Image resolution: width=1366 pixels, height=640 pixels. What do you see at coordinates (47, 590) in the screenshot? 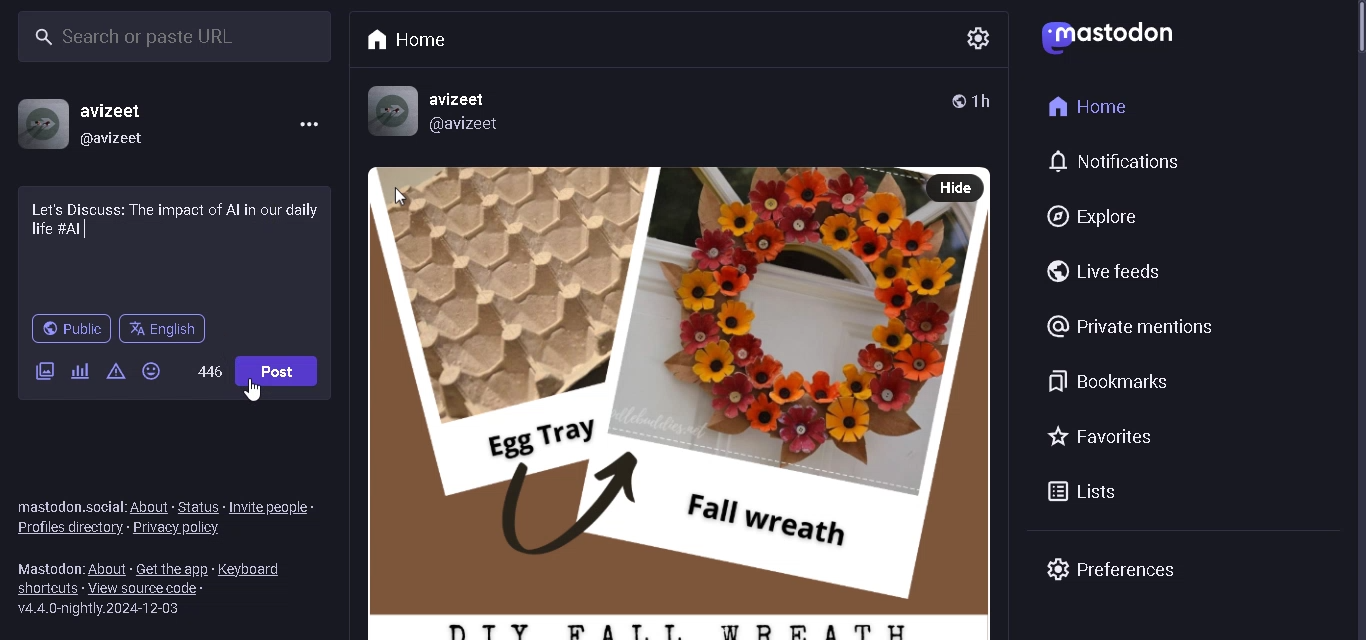
I see `SHORTCUTS` at bounding box center [47, 590].